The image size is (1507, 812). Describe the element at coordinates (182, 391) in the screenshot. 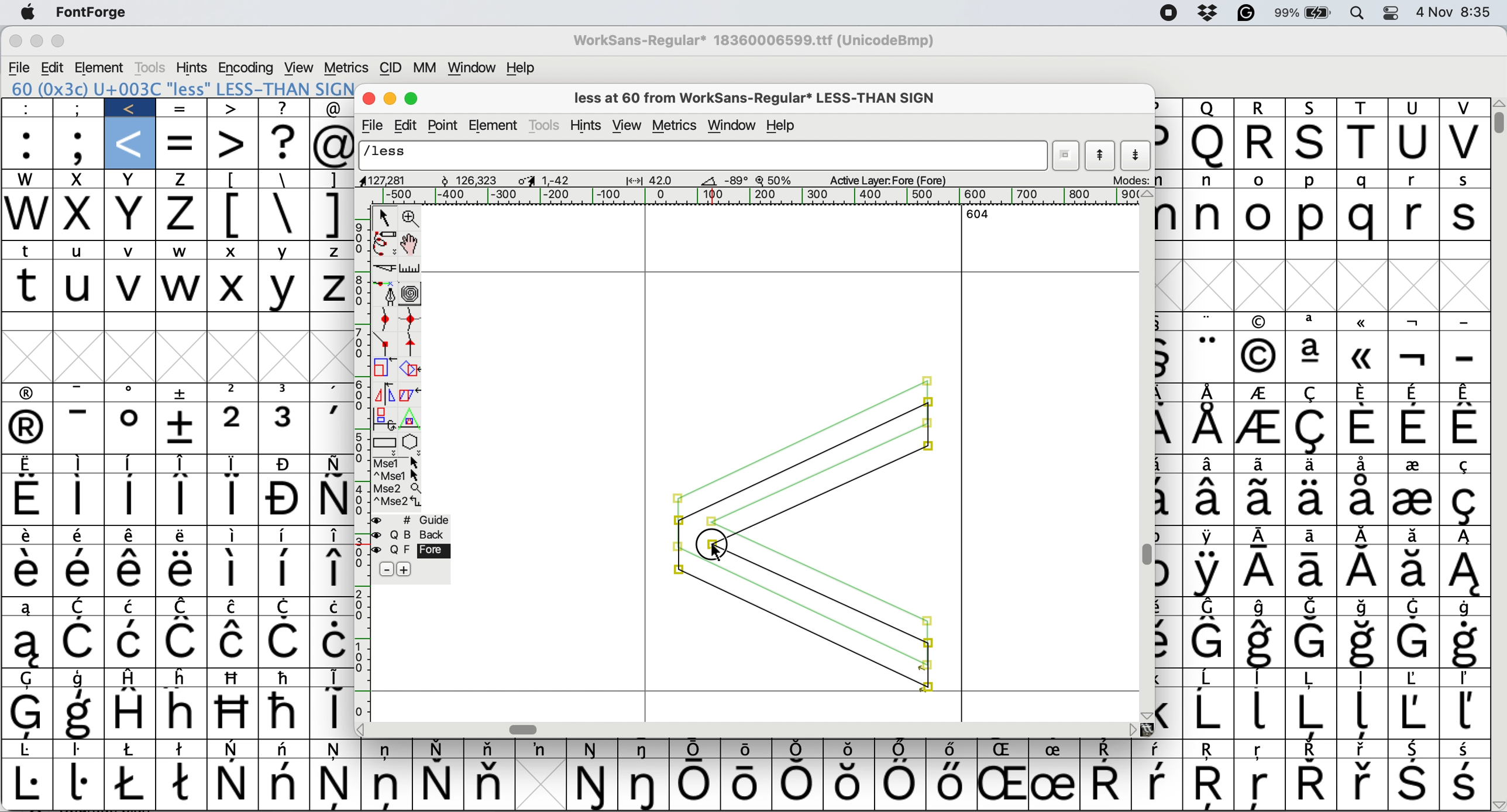

I see `Symbol` at that location.